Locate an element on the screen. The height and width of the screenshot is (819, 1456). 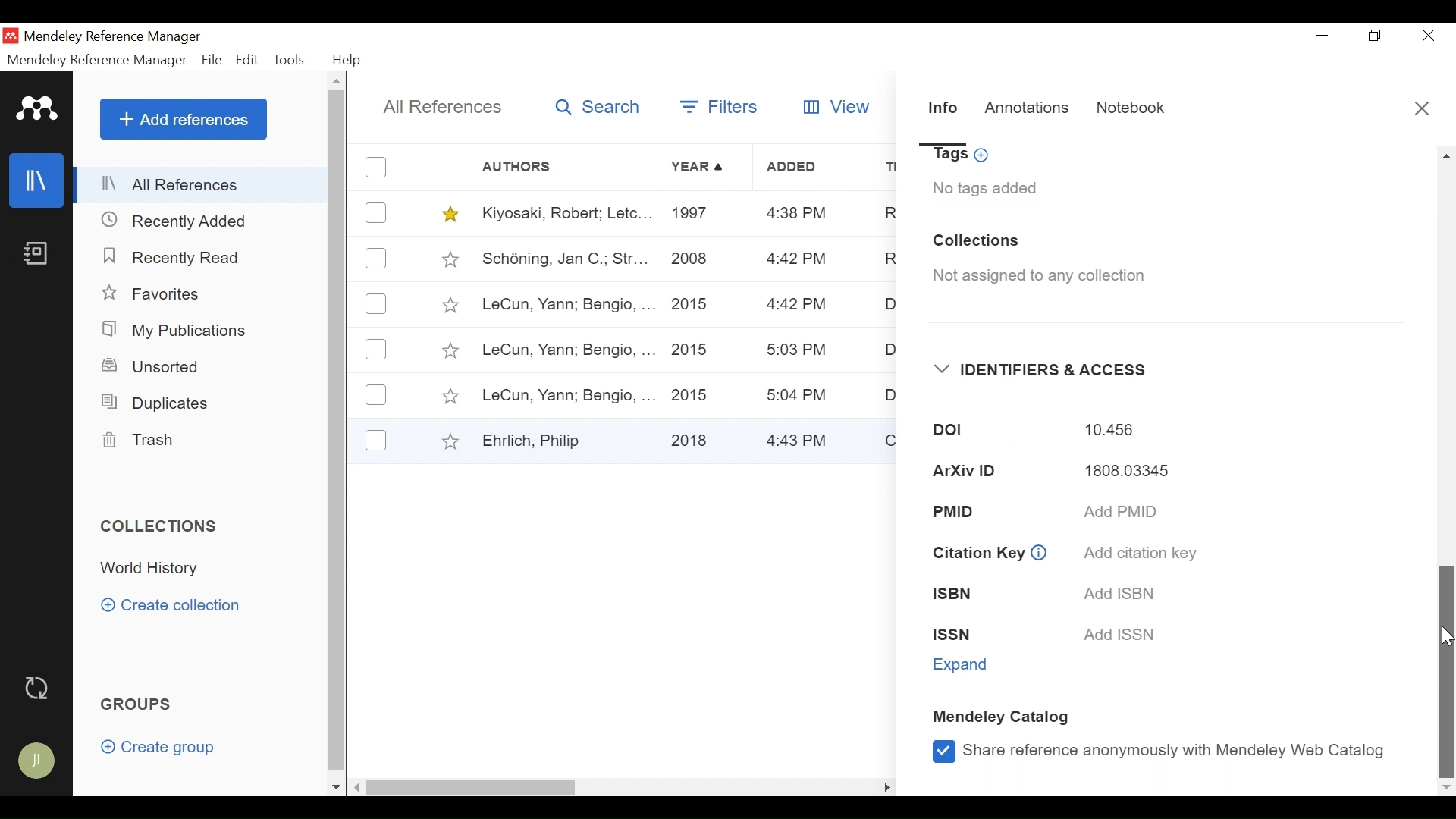
(un)select is located at coordinates (377, 212).